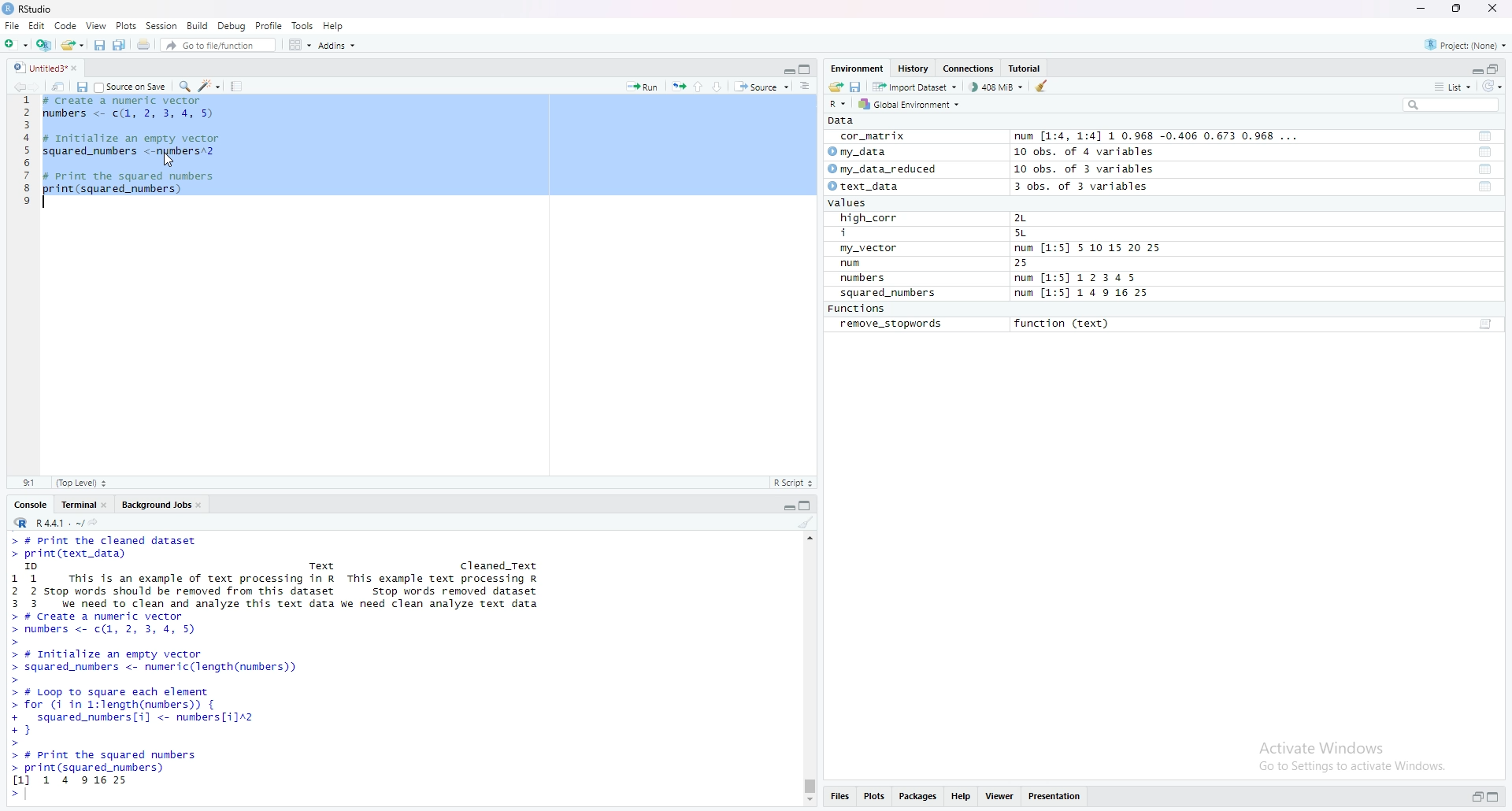 Image resolution: width=1512 pixels, height=811 pixels. Describe the element at coordinates (99, 43) in the screenshot. I see `Save current document` at that location.